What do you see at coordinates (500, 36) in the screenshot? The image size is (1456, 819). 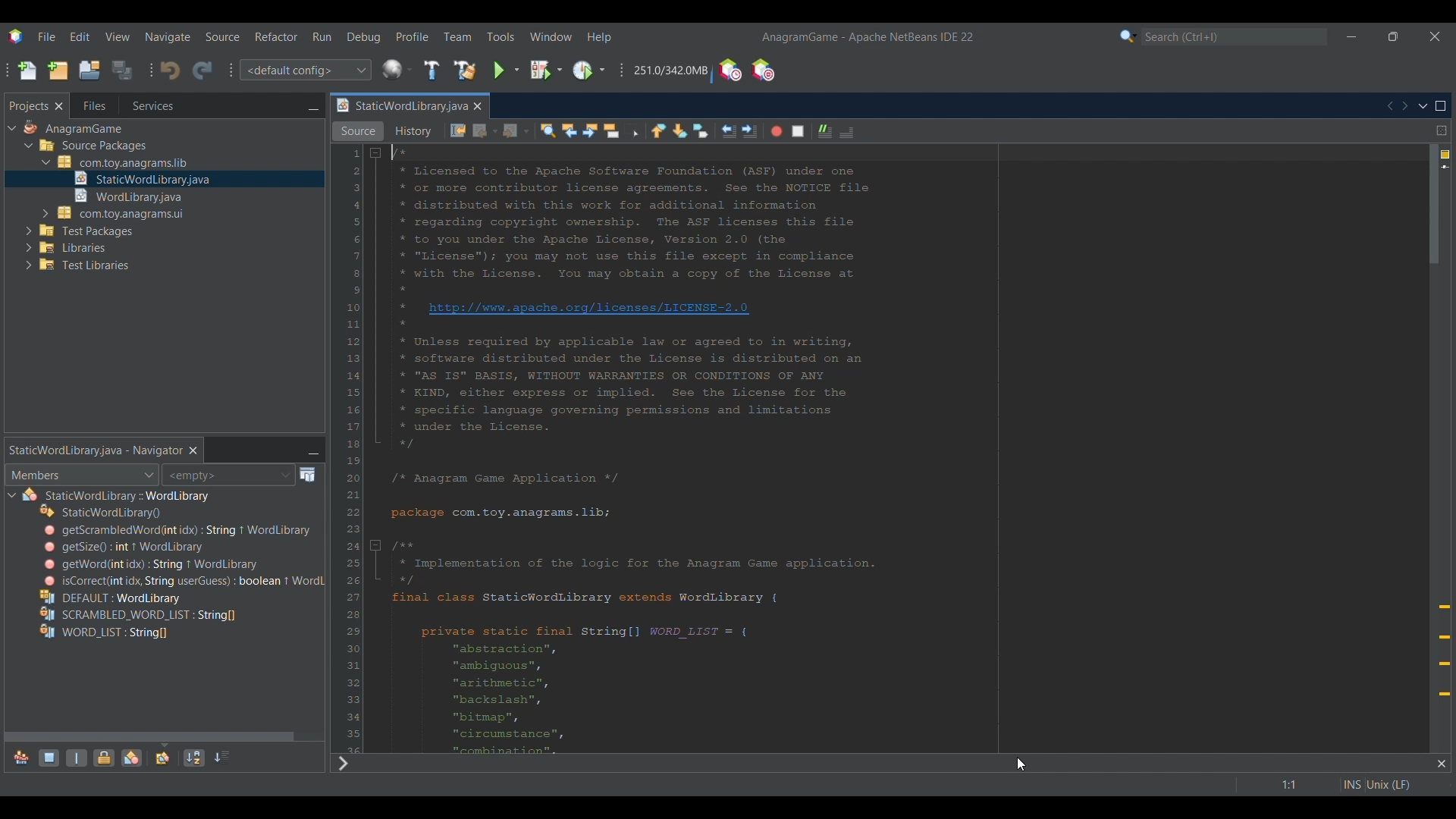 I see `Tools menu` at bounding box center [500, 36].